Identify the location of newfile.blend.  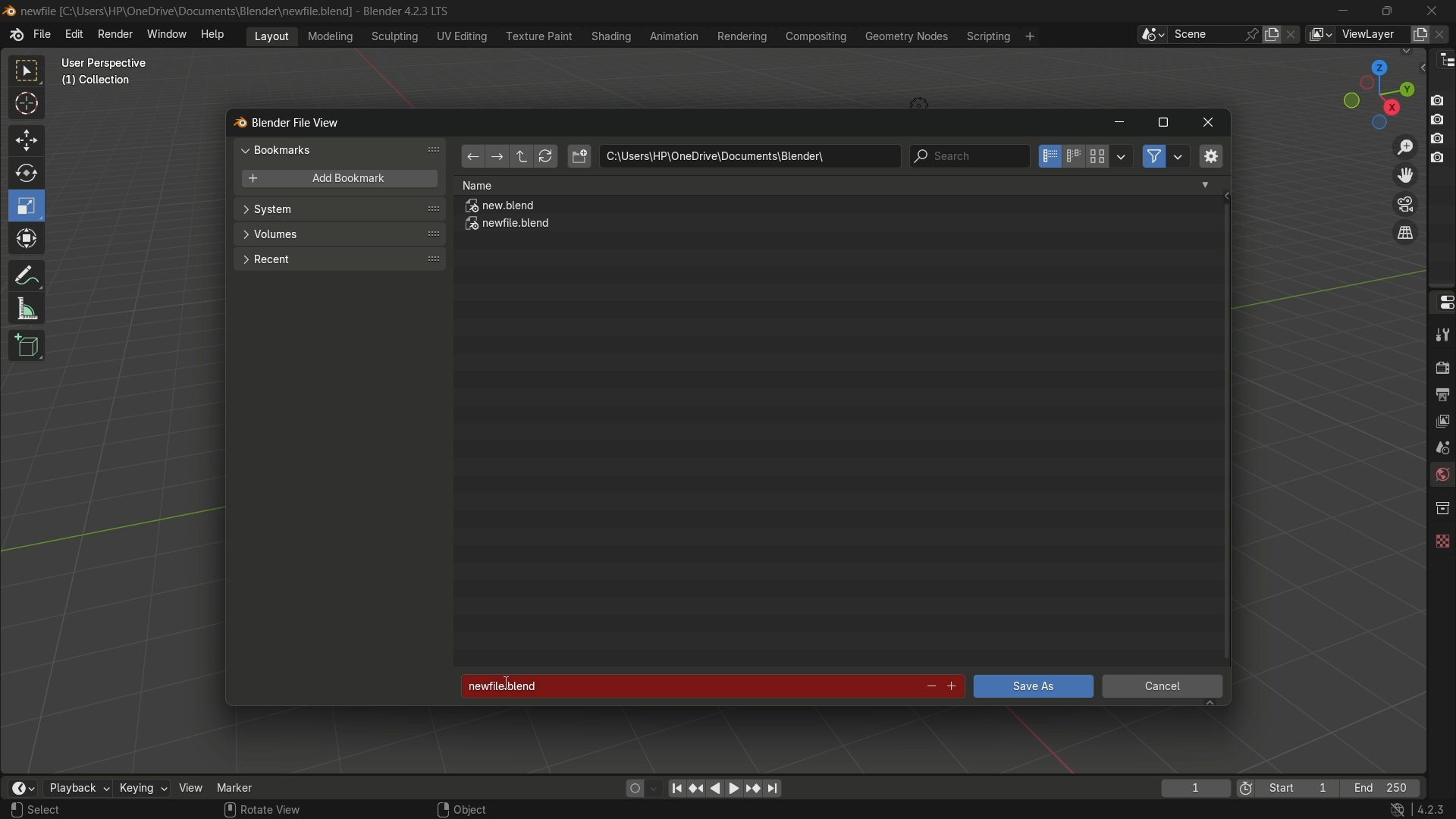
(684, 686).